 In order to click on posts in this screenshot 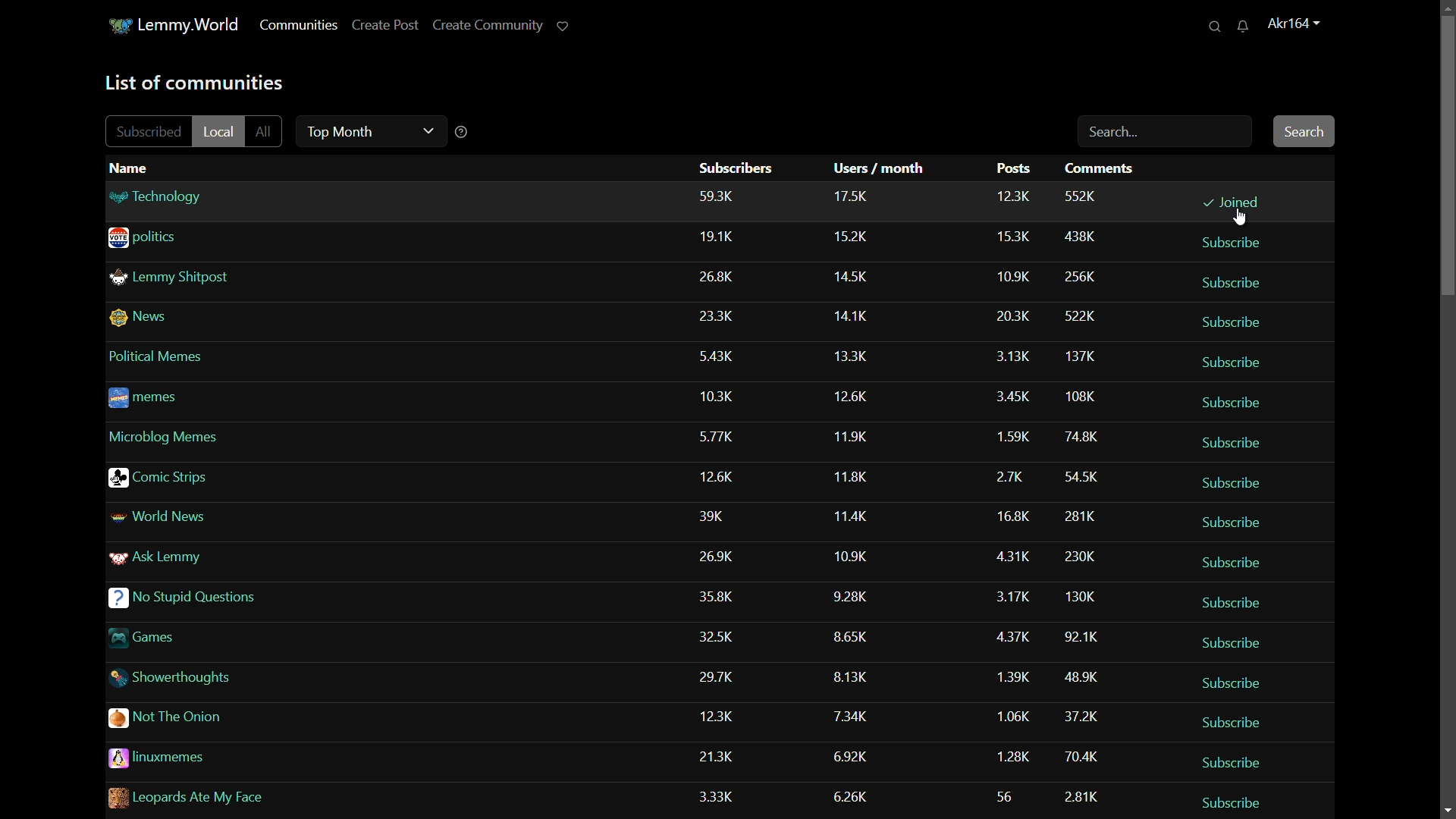, I will do `click(1008, 677)`.